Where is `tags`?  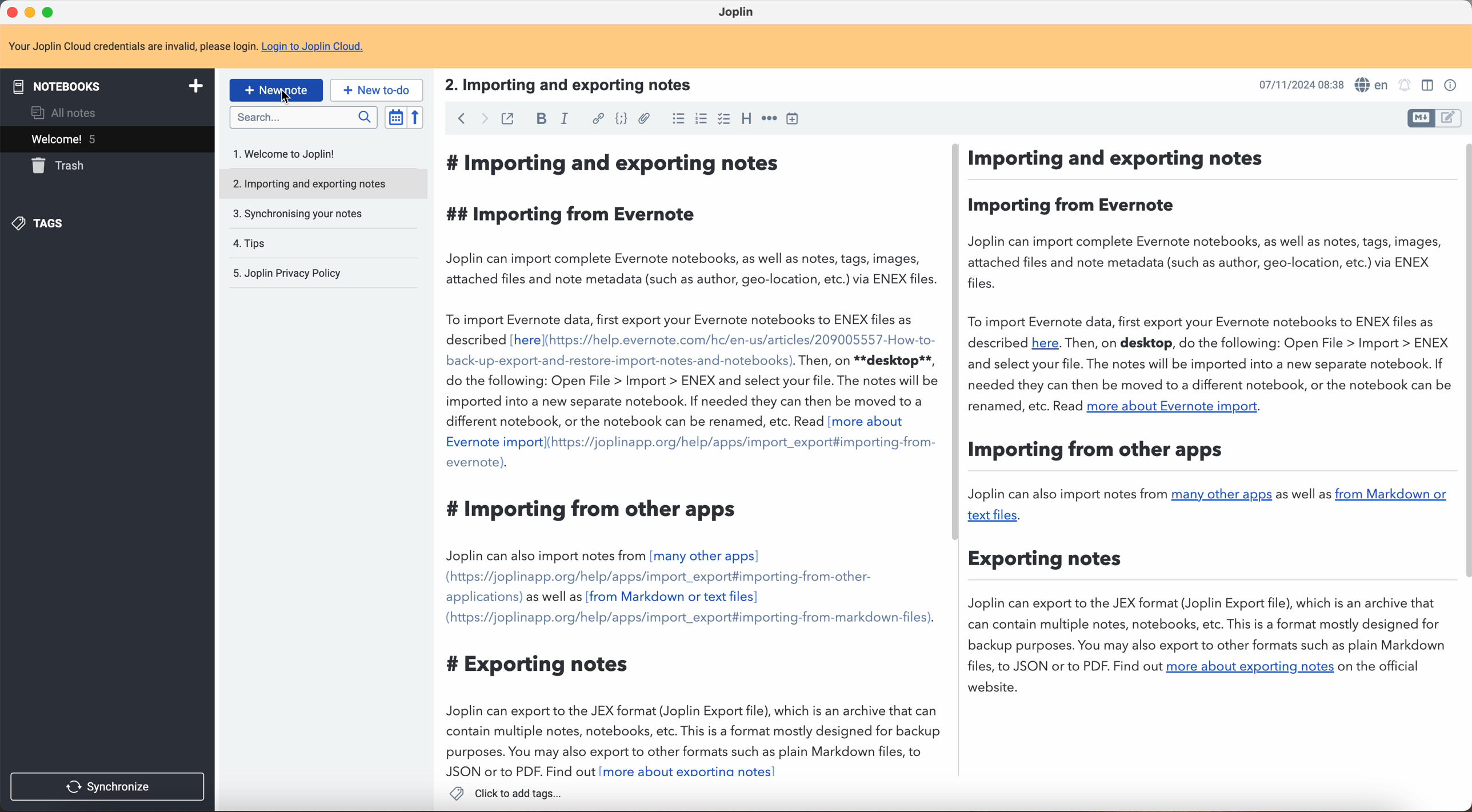 tags is located at coordinates (41, 225).